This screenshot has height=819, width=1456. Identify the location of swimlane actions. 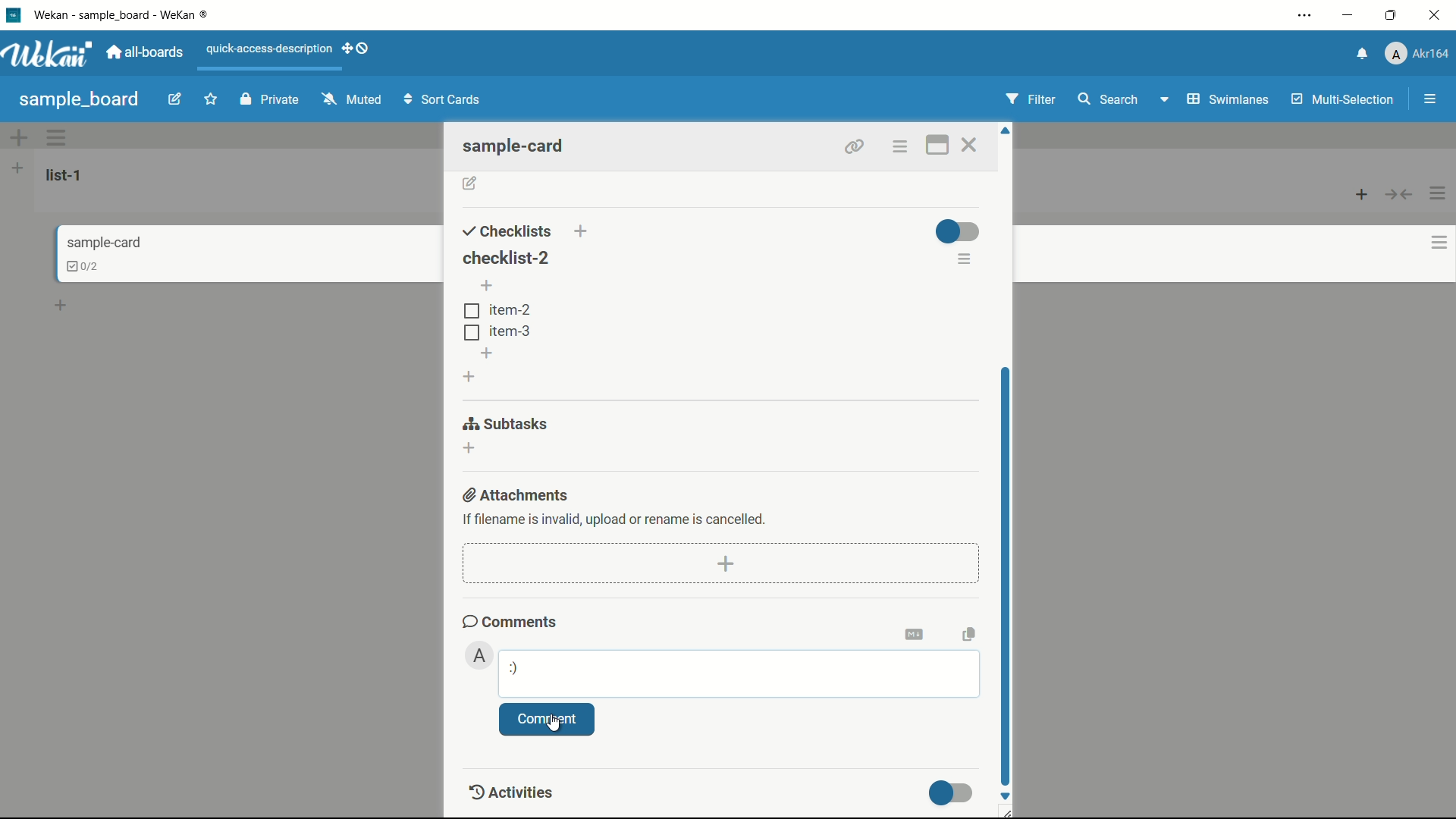
(58, 138).